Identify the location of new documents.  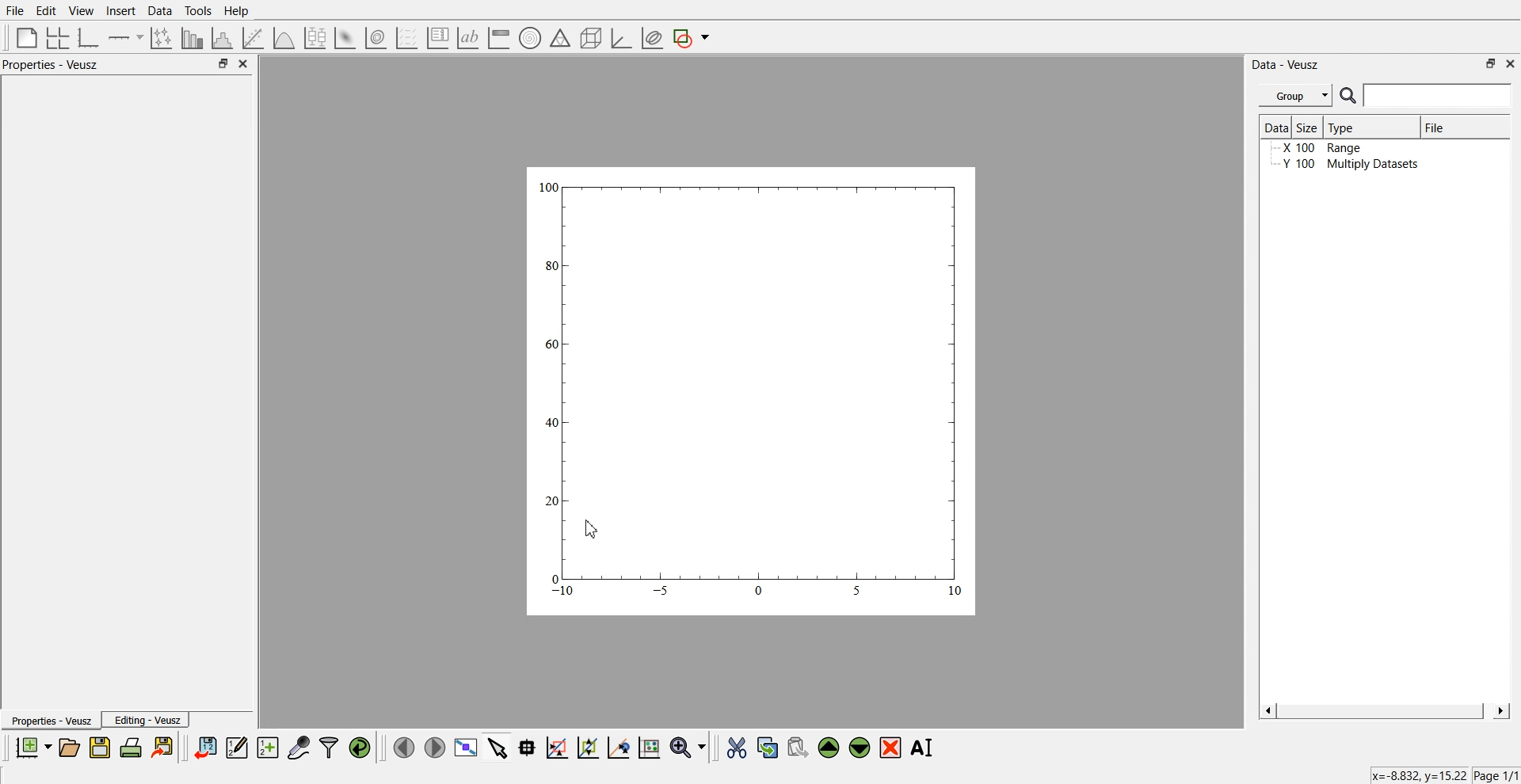
(31, 747).